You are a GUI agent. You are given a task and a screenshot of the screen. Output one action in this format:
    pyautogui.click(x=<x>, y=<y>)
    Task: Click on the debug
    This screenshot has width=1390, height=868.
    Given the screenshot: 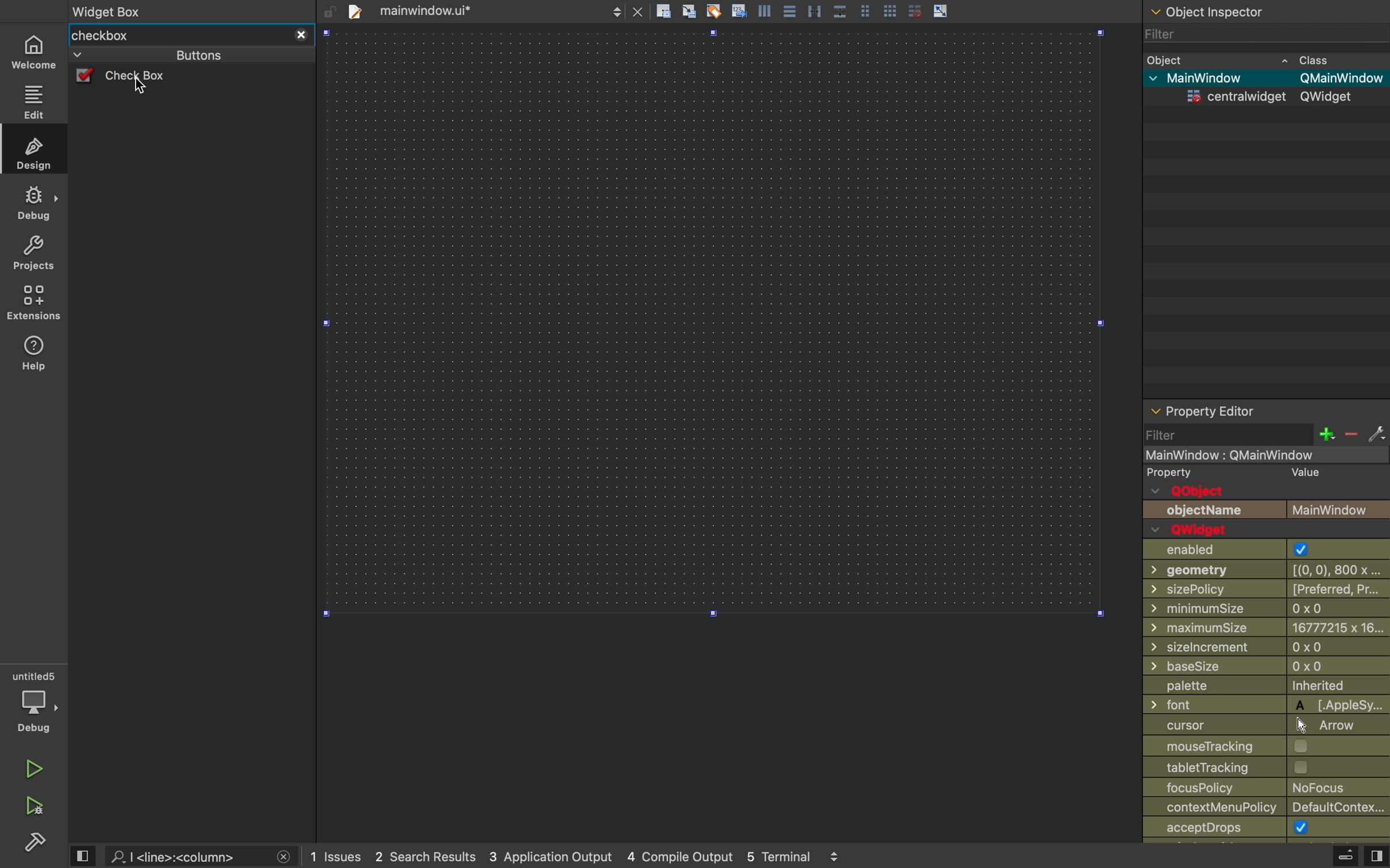 What is the action you would take?
    pyautogui.click(x=33, y=203)
    